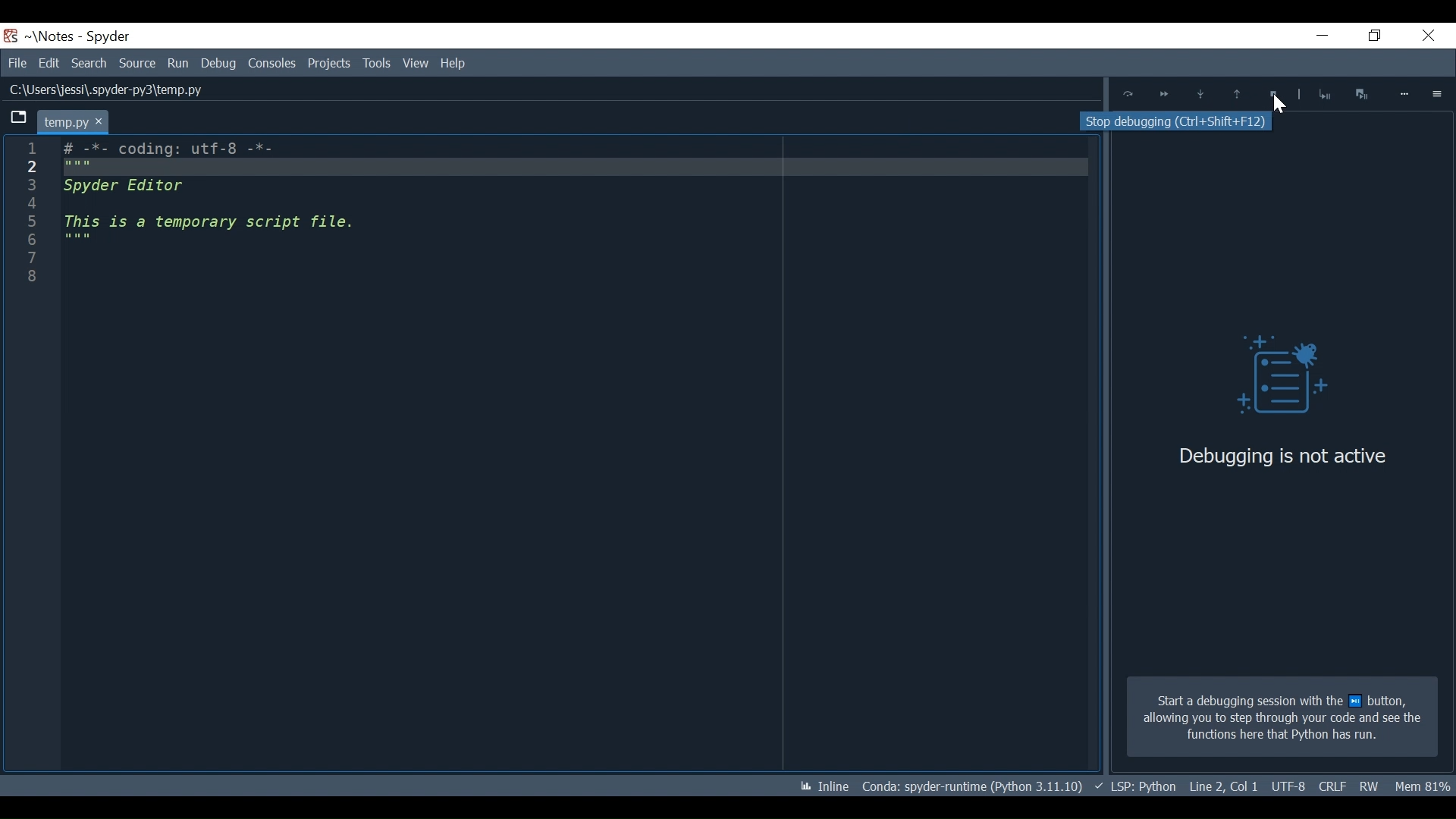  Describe the element at coordinates (30, 218) in the screenshot. I see `1 2 3 4 5 6 7 8` at that location.